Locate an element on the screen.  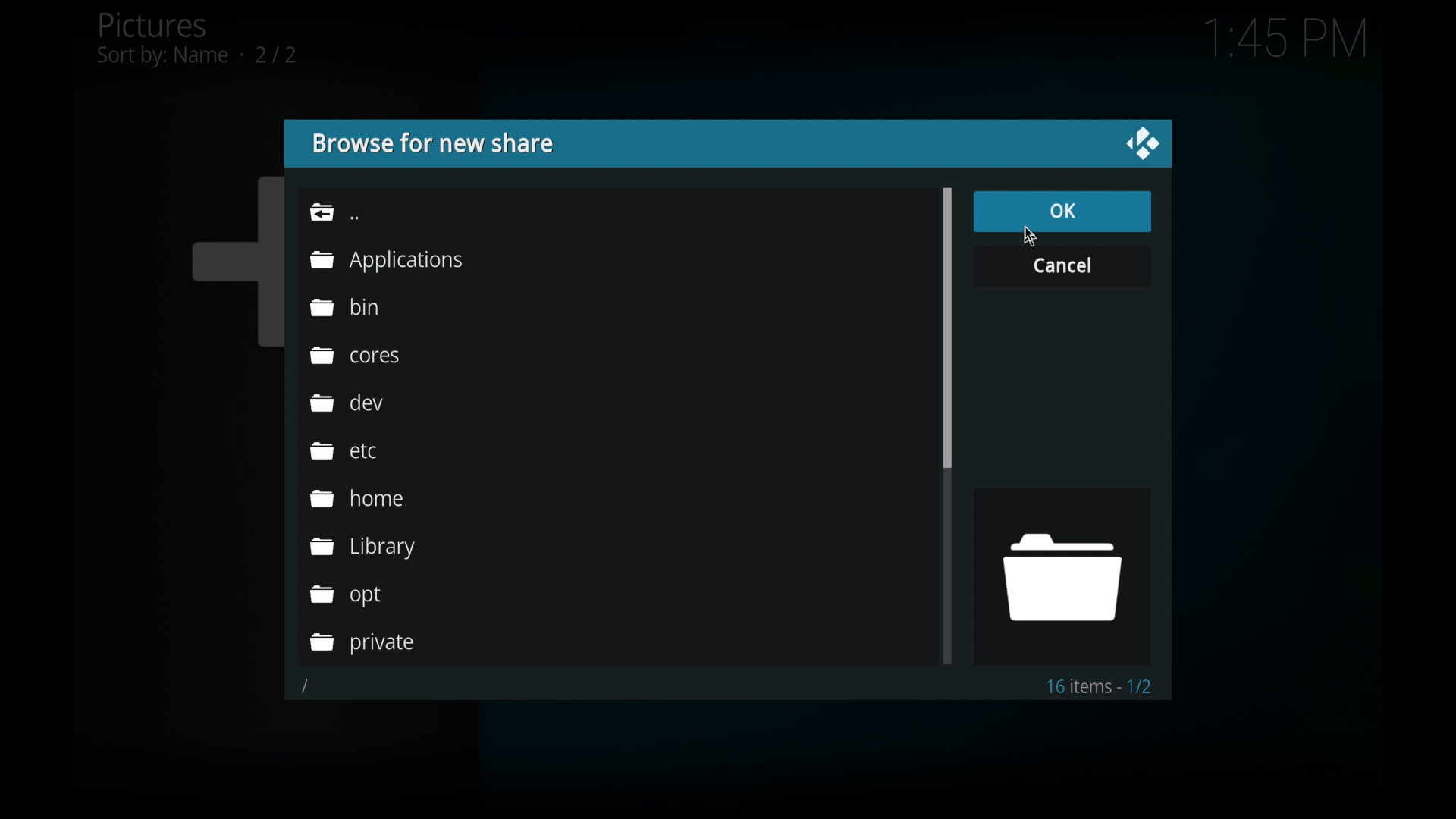
browse for new share is located at coordinates (437, 143).